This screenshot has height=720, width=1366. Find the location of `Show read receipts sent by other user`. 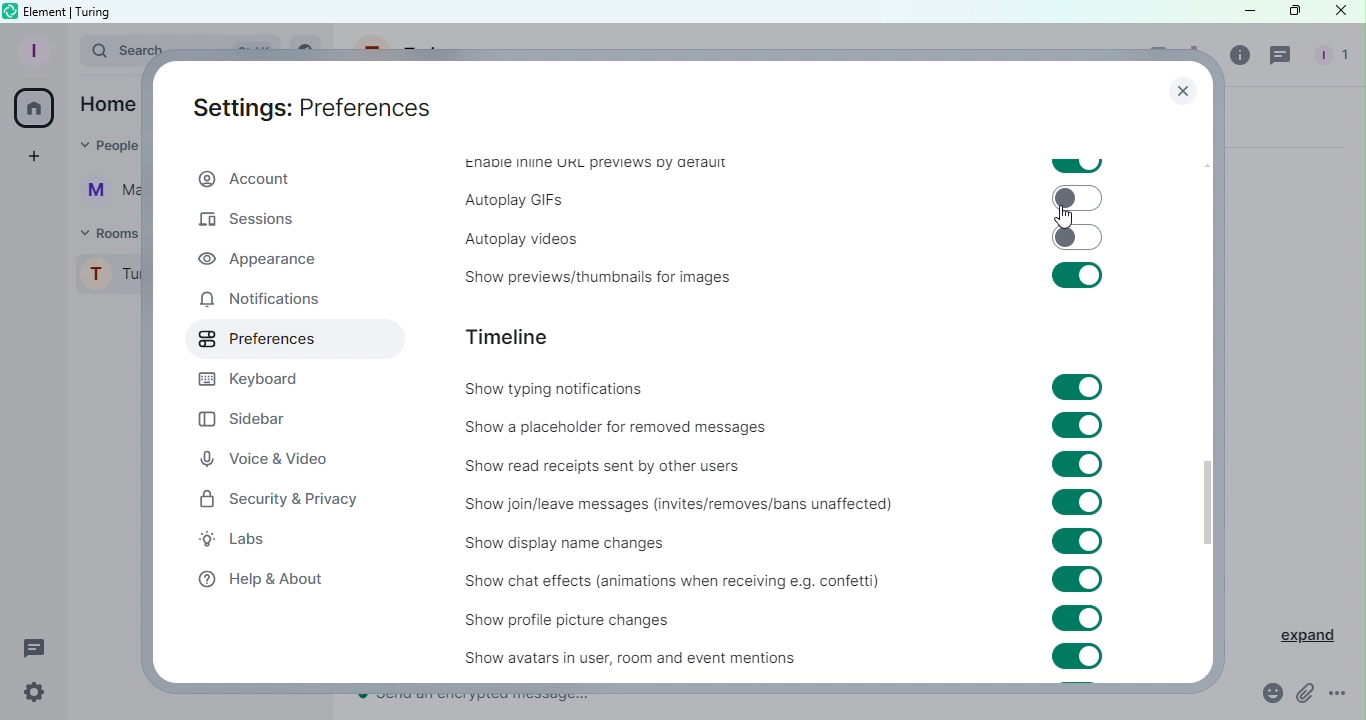

Show read receipts sent by other user is located at coordinates (603, 464).